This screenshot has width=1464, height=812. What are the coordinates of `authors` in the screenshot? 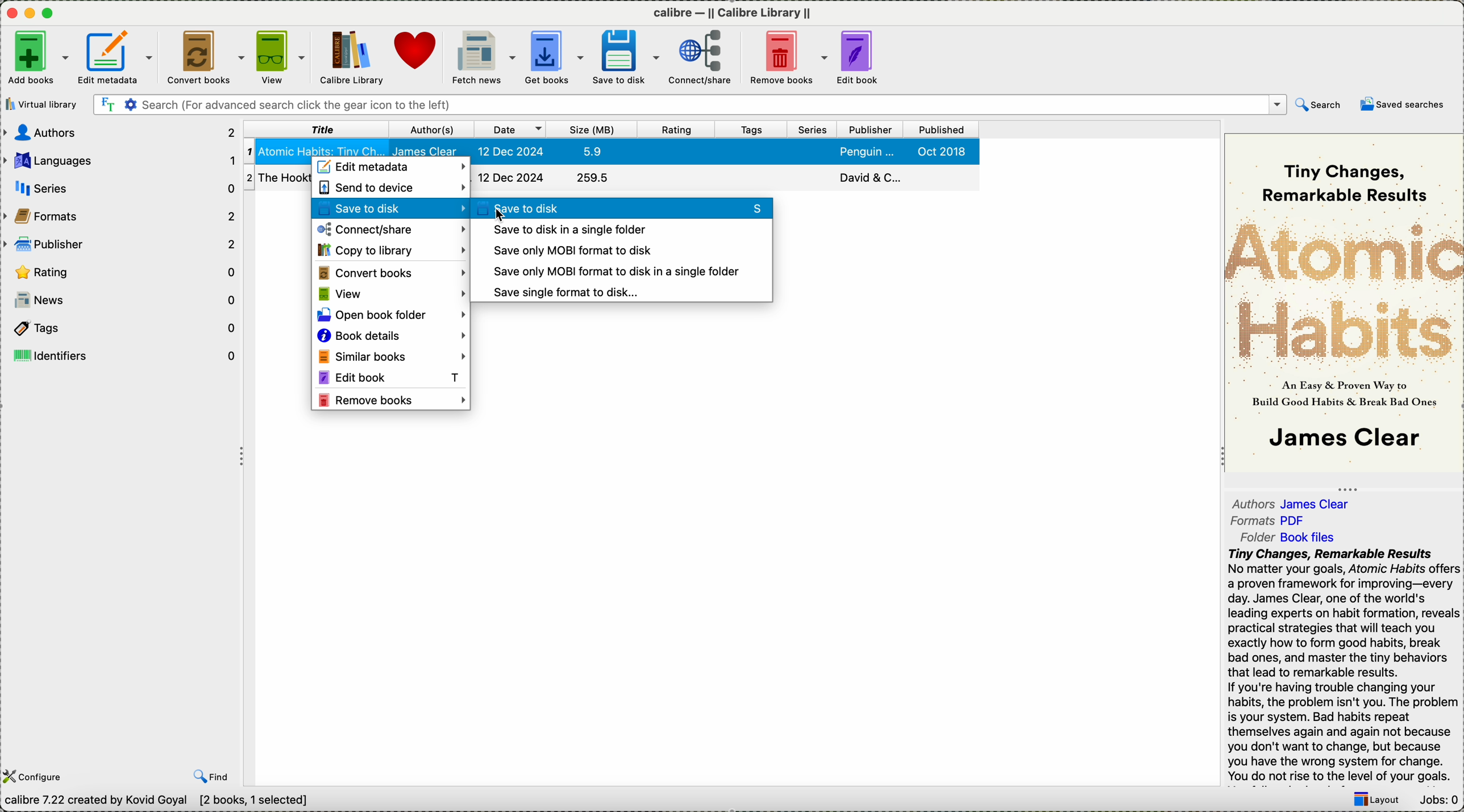 It's located at (1295, 504).